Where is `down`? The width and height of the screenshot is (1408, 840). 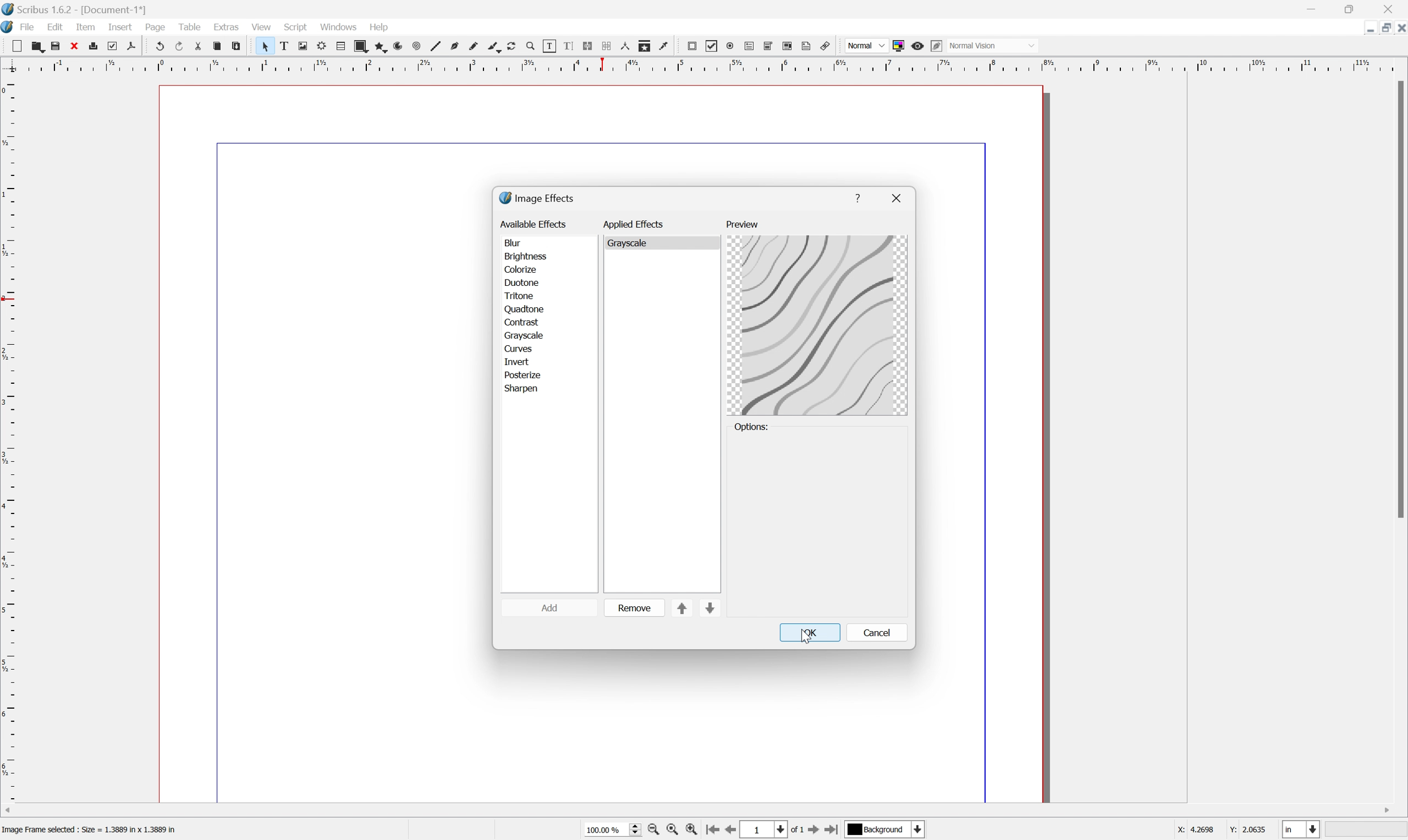
down is located at coordinates (709, 610).